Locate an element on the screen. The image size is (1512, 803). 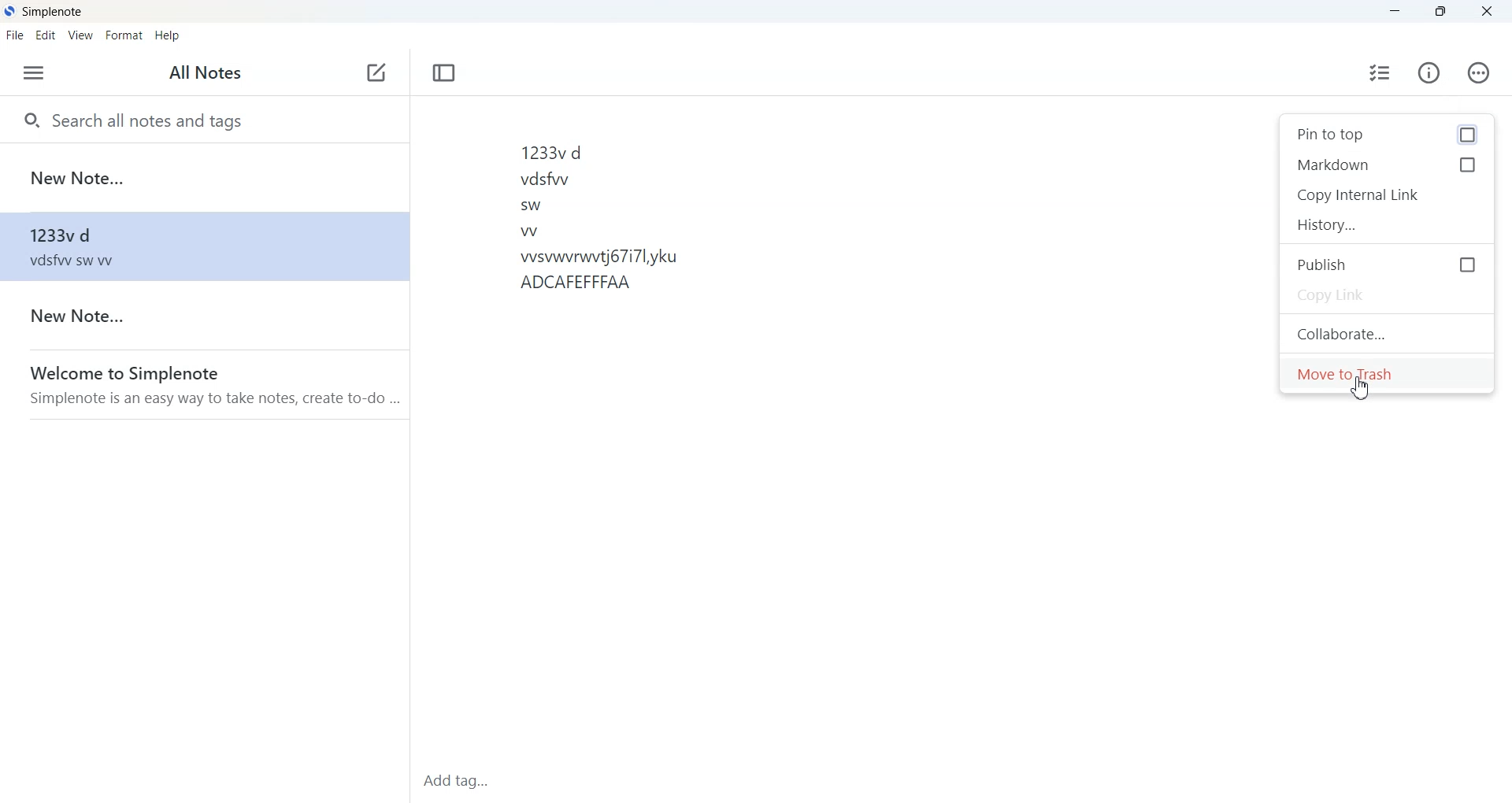
welcome to simplenote is located at coordinates (203, 384).